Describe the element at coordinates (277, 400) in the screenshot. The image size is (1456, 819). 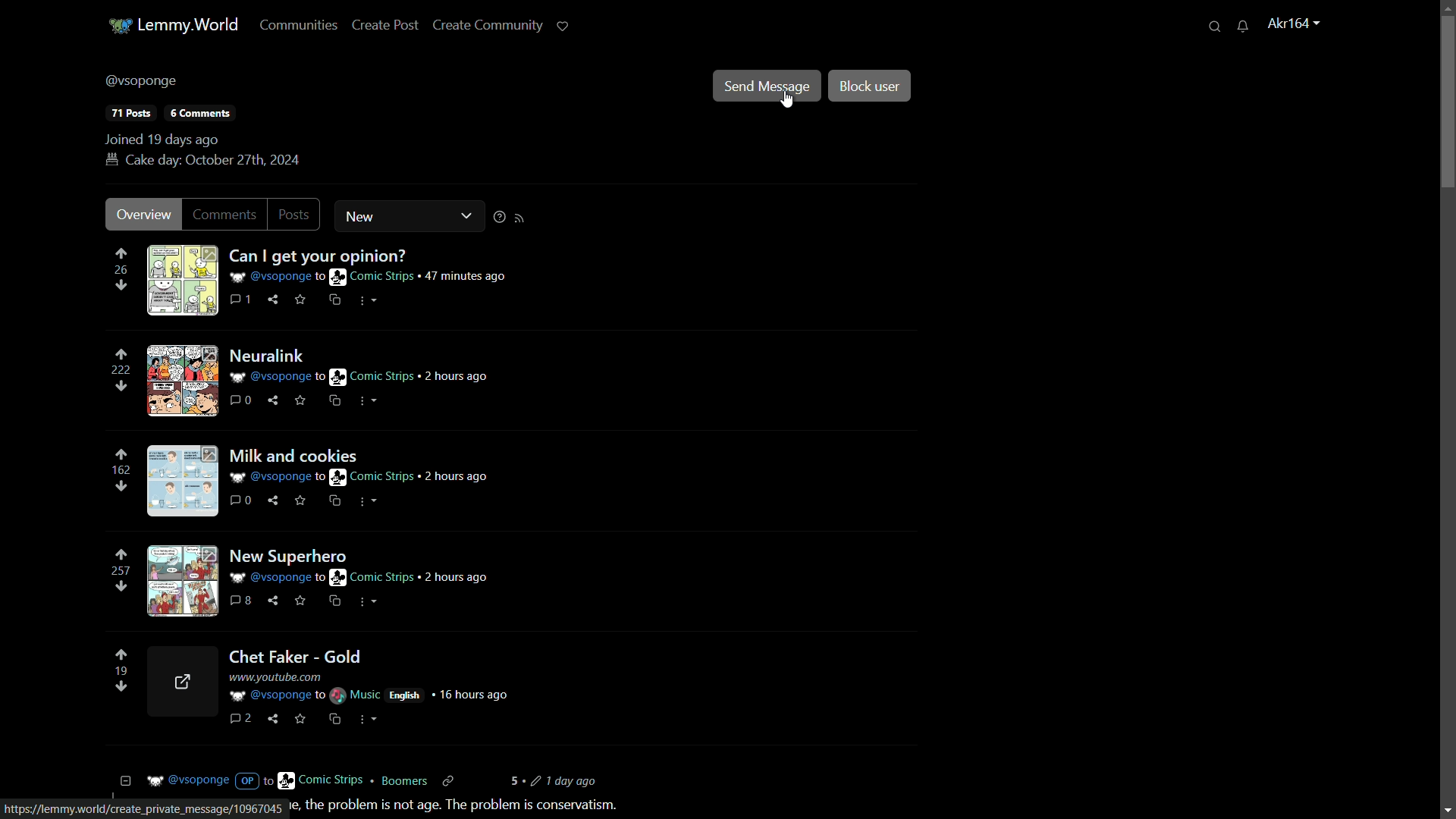
I see `share` at that location.